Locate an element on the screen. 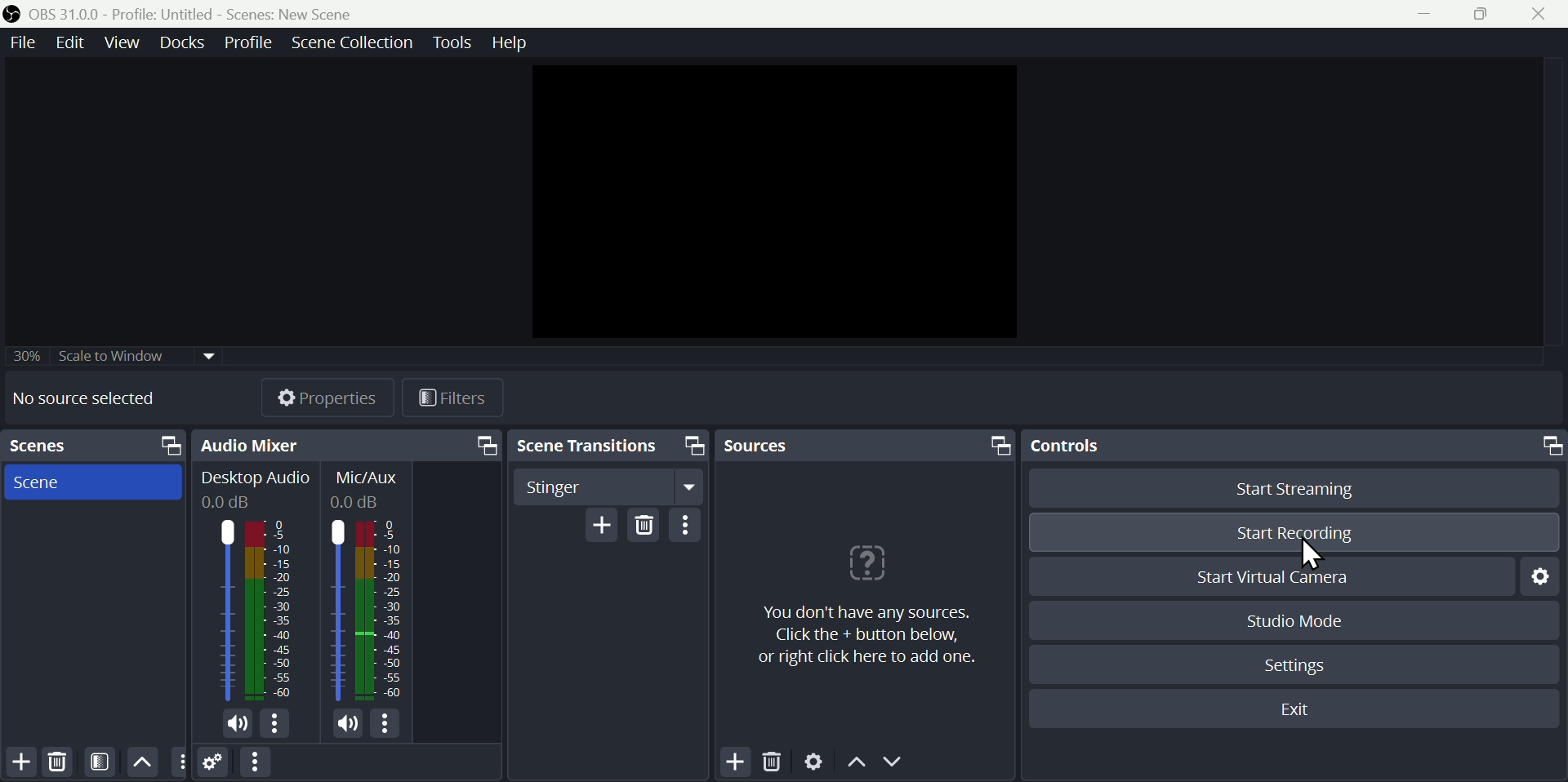 The image size is (1568, 782). menu bar is located at coordinates (688, 526).